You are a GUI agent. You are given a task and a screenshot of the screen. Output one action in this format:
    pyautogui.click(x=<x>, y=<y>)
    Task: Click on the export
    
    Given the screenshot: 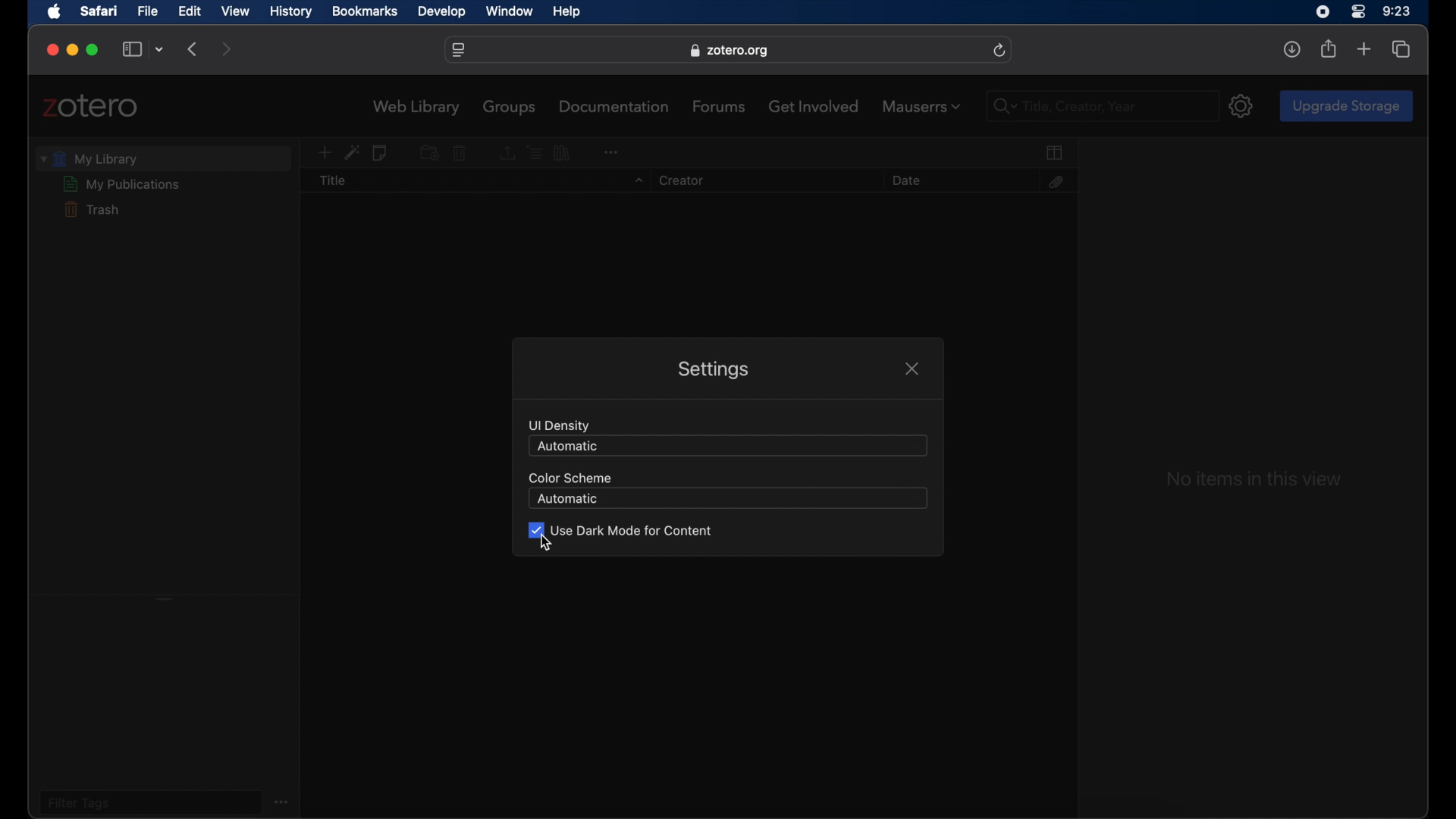 What is the action you would take?
    pyautogui.click(x=506, y=153)
    